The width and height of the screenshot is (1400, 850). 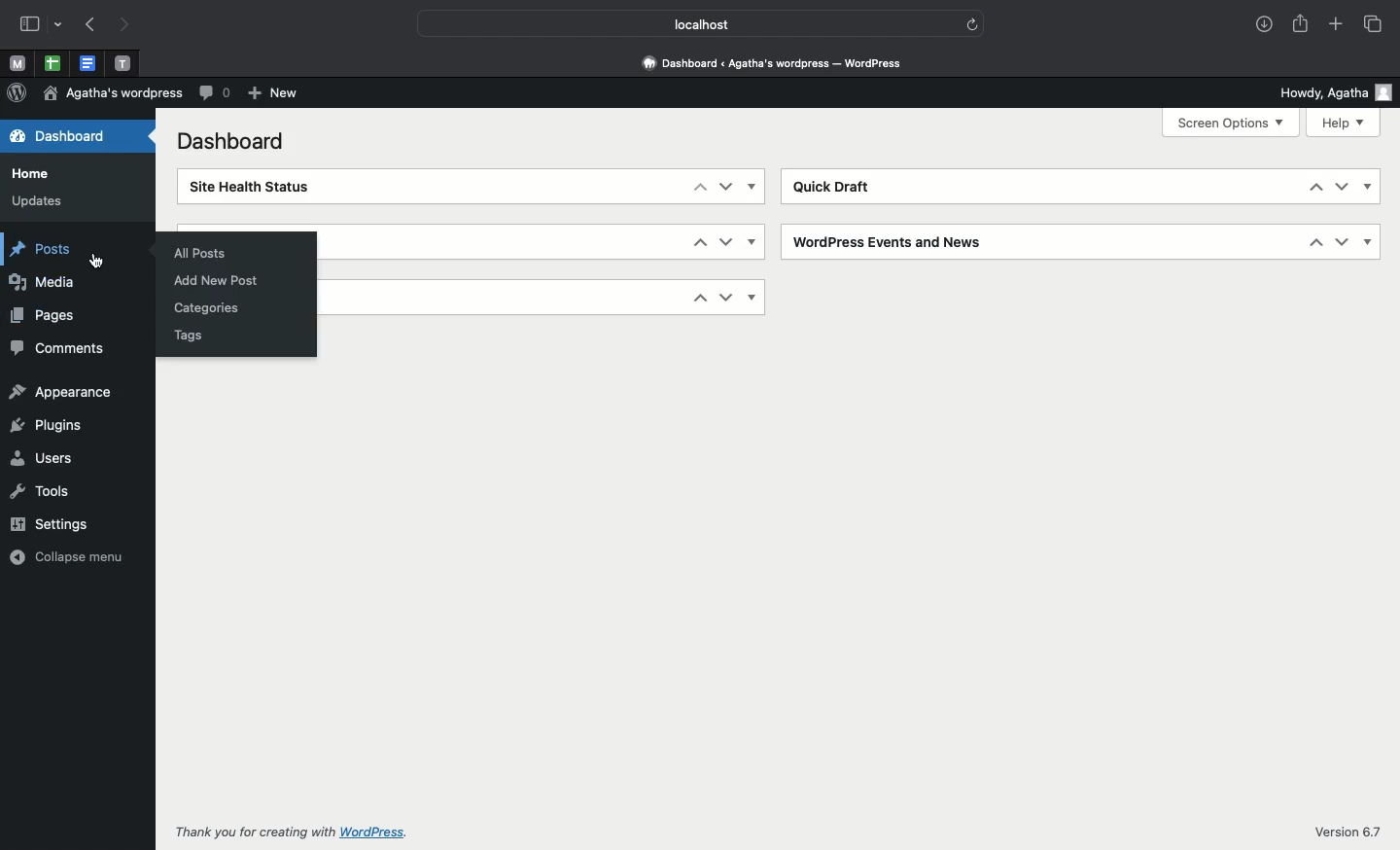 What do you see at coordinates (686, 25) in the screenshot?
I see `Local host` at bounding box center [686, 25].